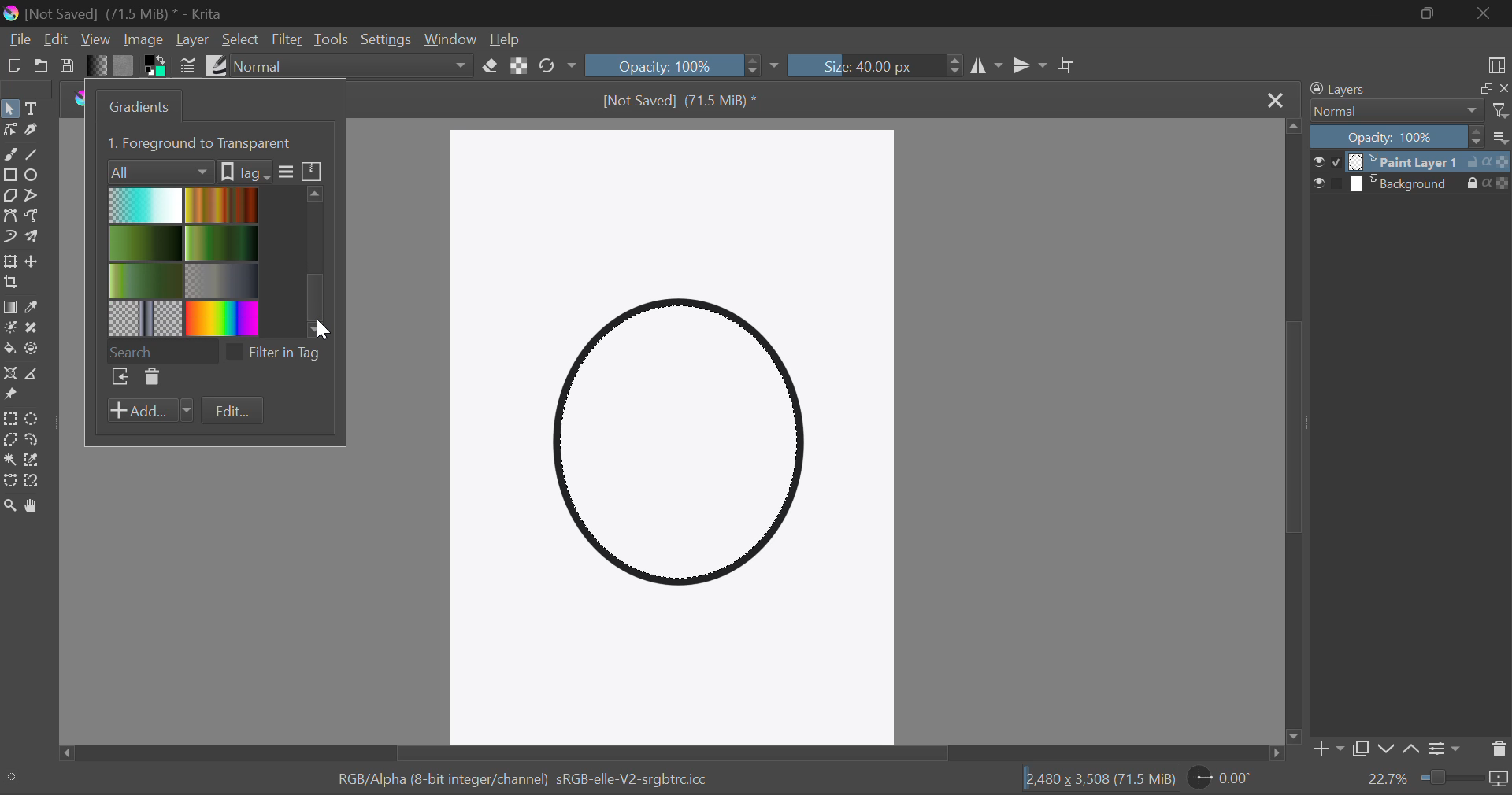  What do you see at coordinates (36, 307) in the screenshot?
I see `Eyedropper` at bounding box center [36, 307].